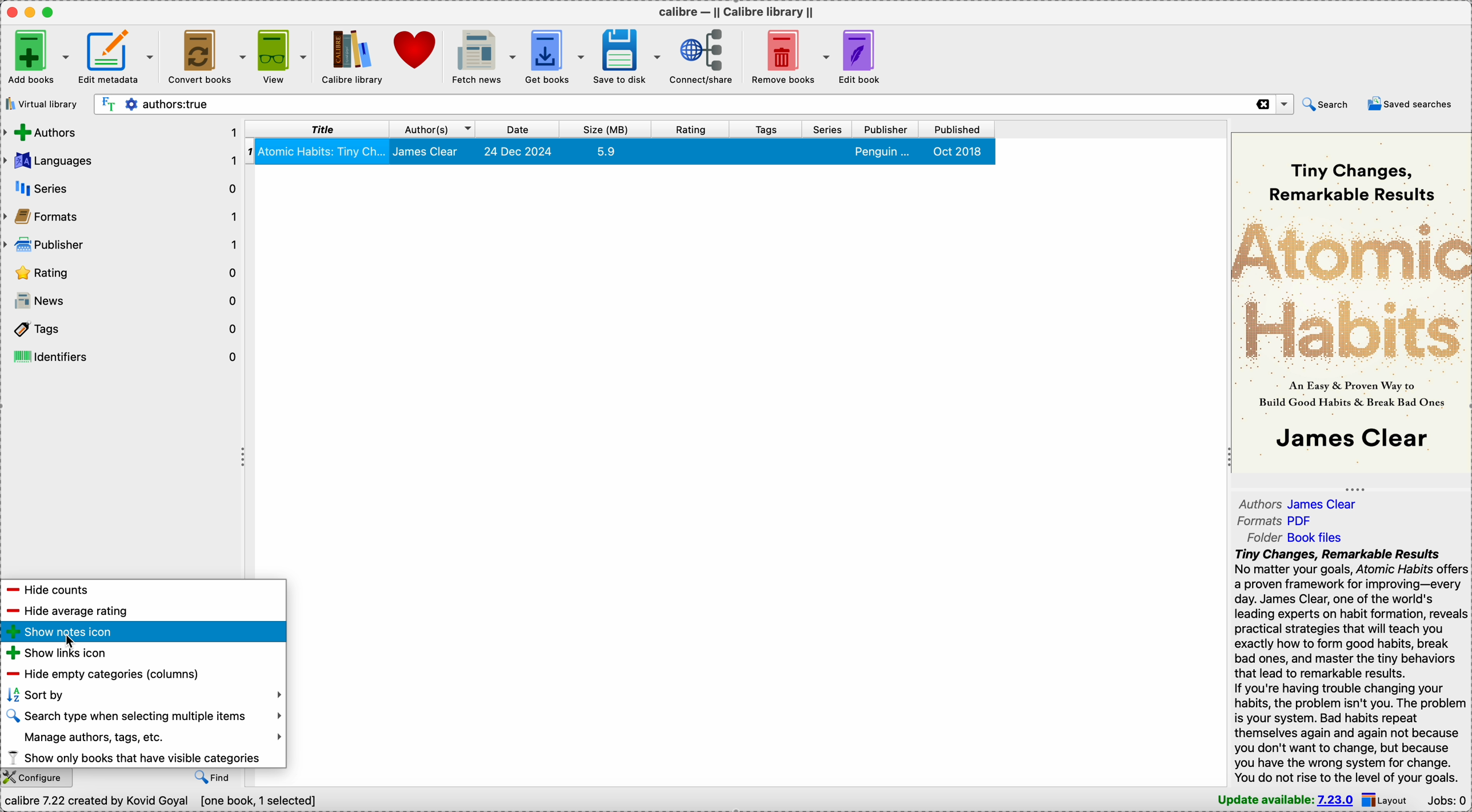 This screenshot has height=812, width=1472. Describe the element at coordinates (1283, 800) in the screenshot. I see `update available: 7.23.0` at that location.